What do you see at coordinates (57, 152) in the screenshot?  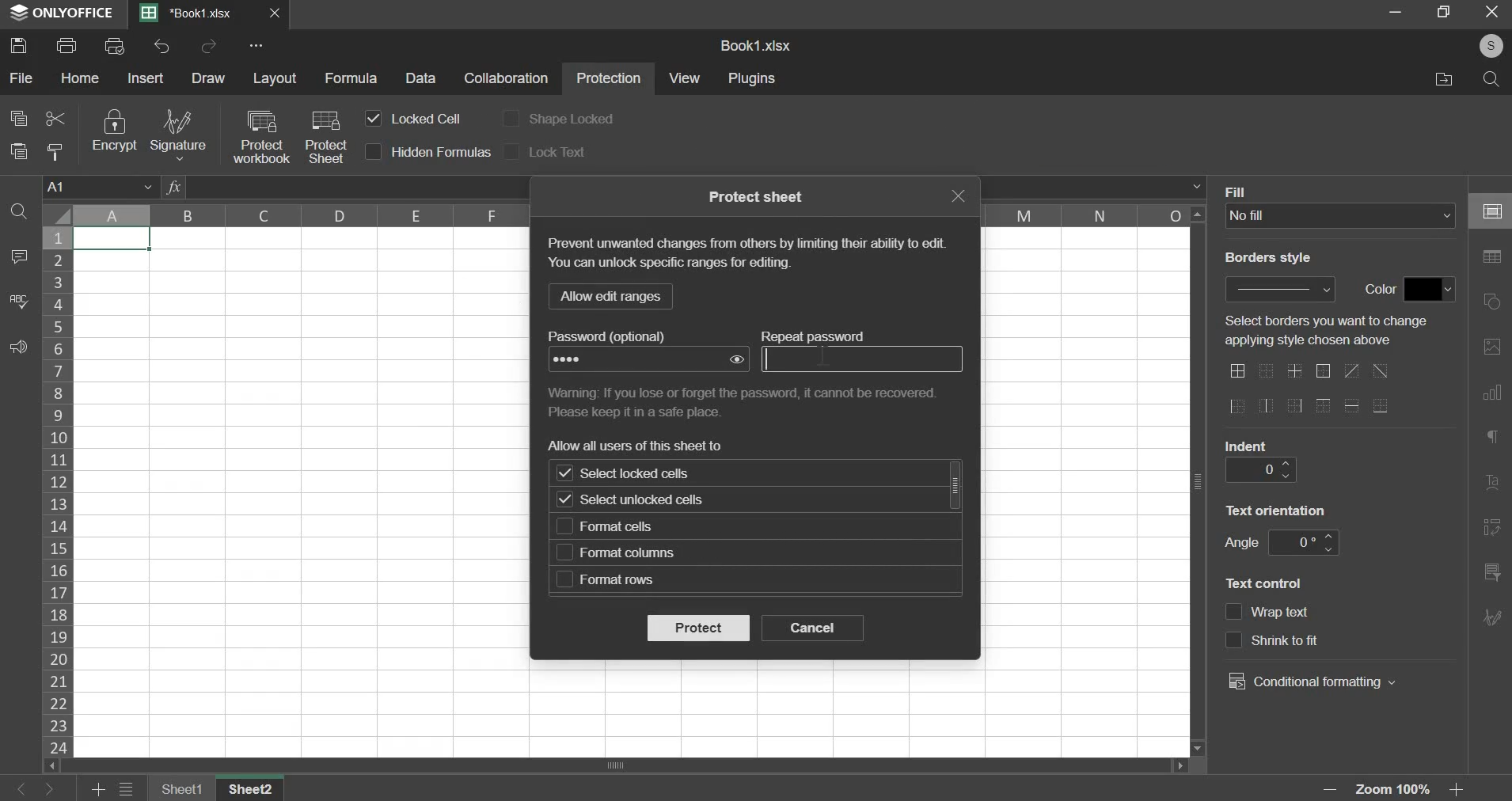 I see `copy style` at bounding box center [57, 152].